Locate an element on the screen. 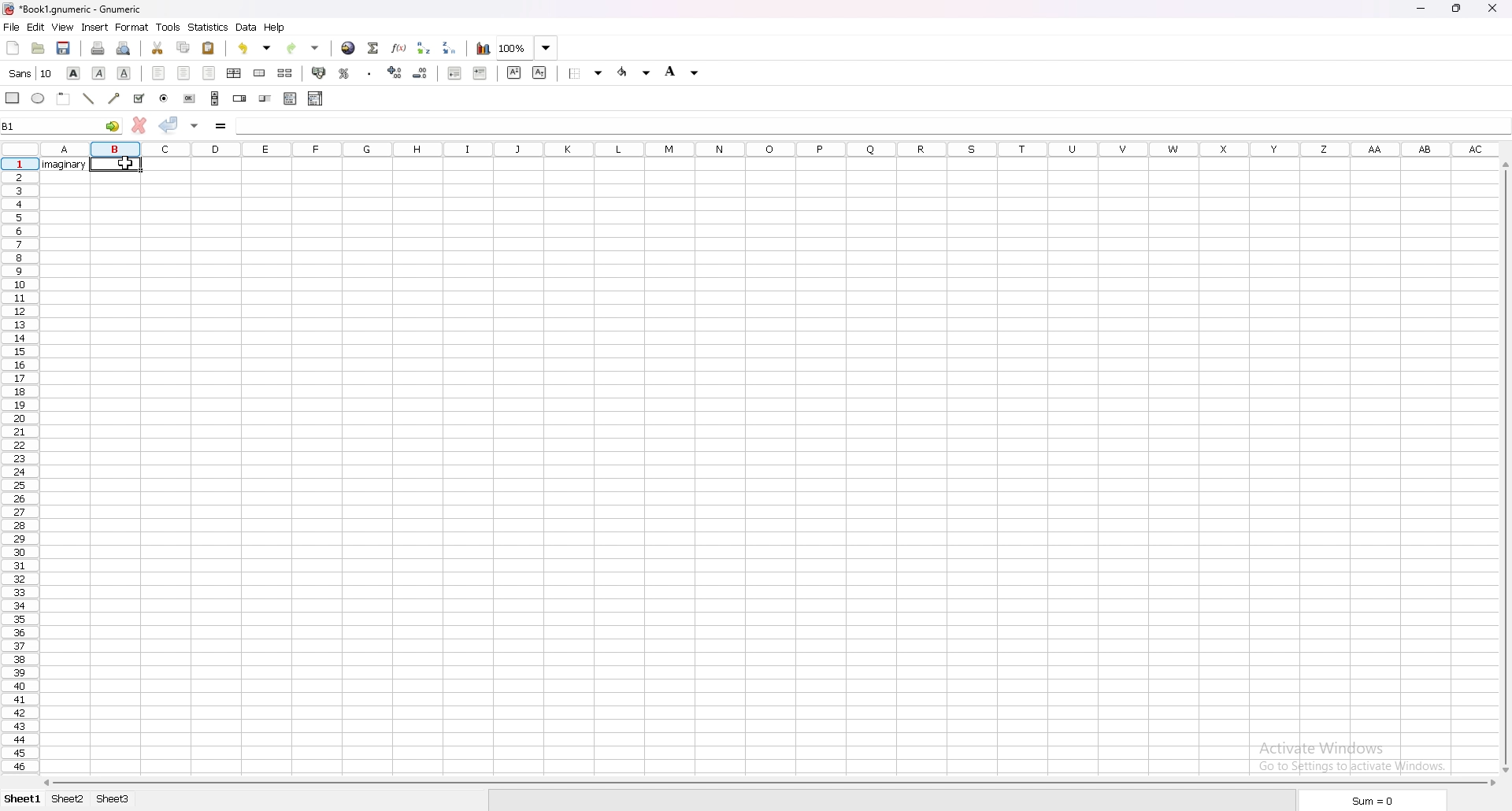 This screenshot has height=811, width=1512. merge cells is located at coordinates (260, 72).